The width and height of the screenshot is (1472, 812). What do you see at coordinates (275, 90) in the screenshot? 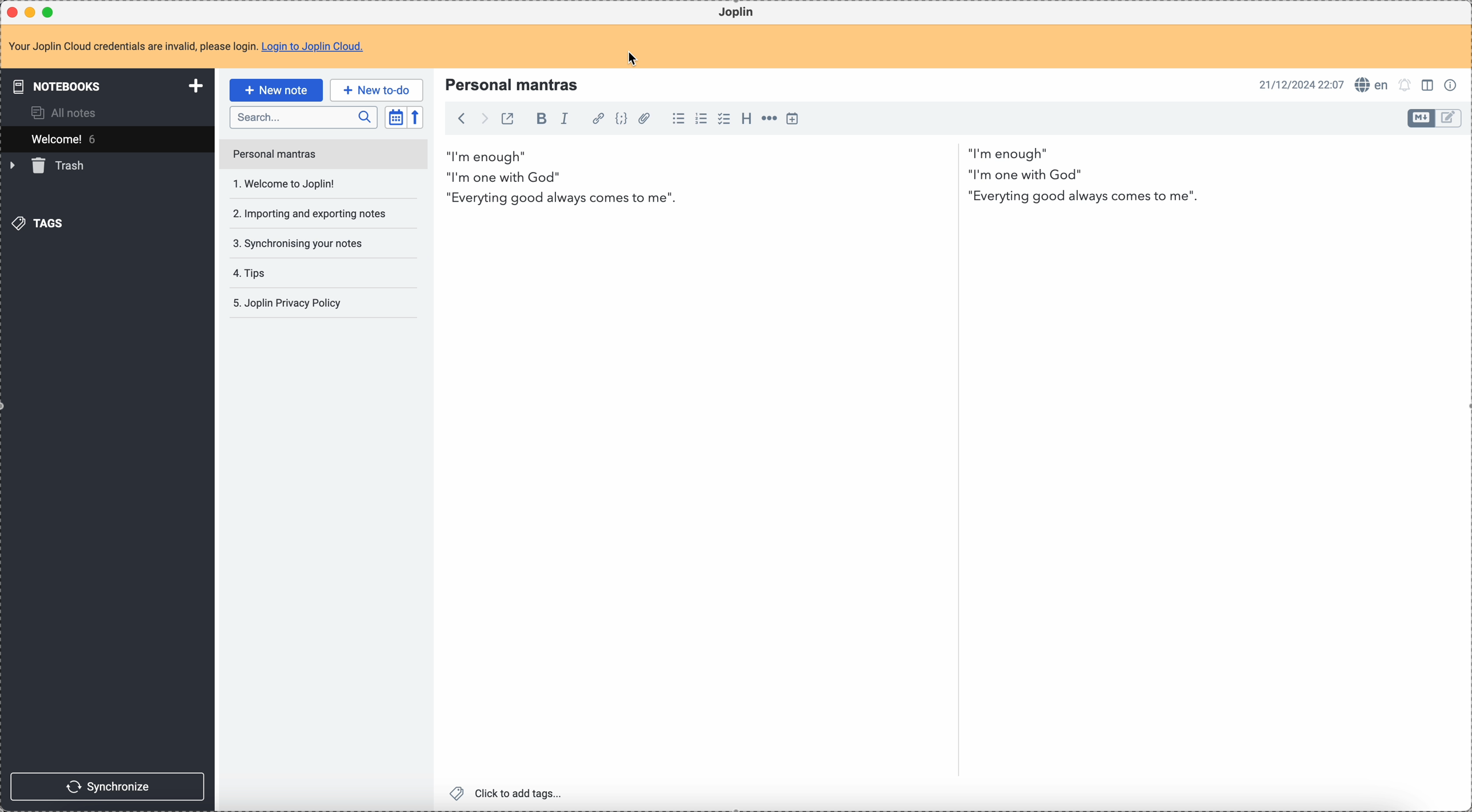
I see `new note` at bounding box center [275, 90].